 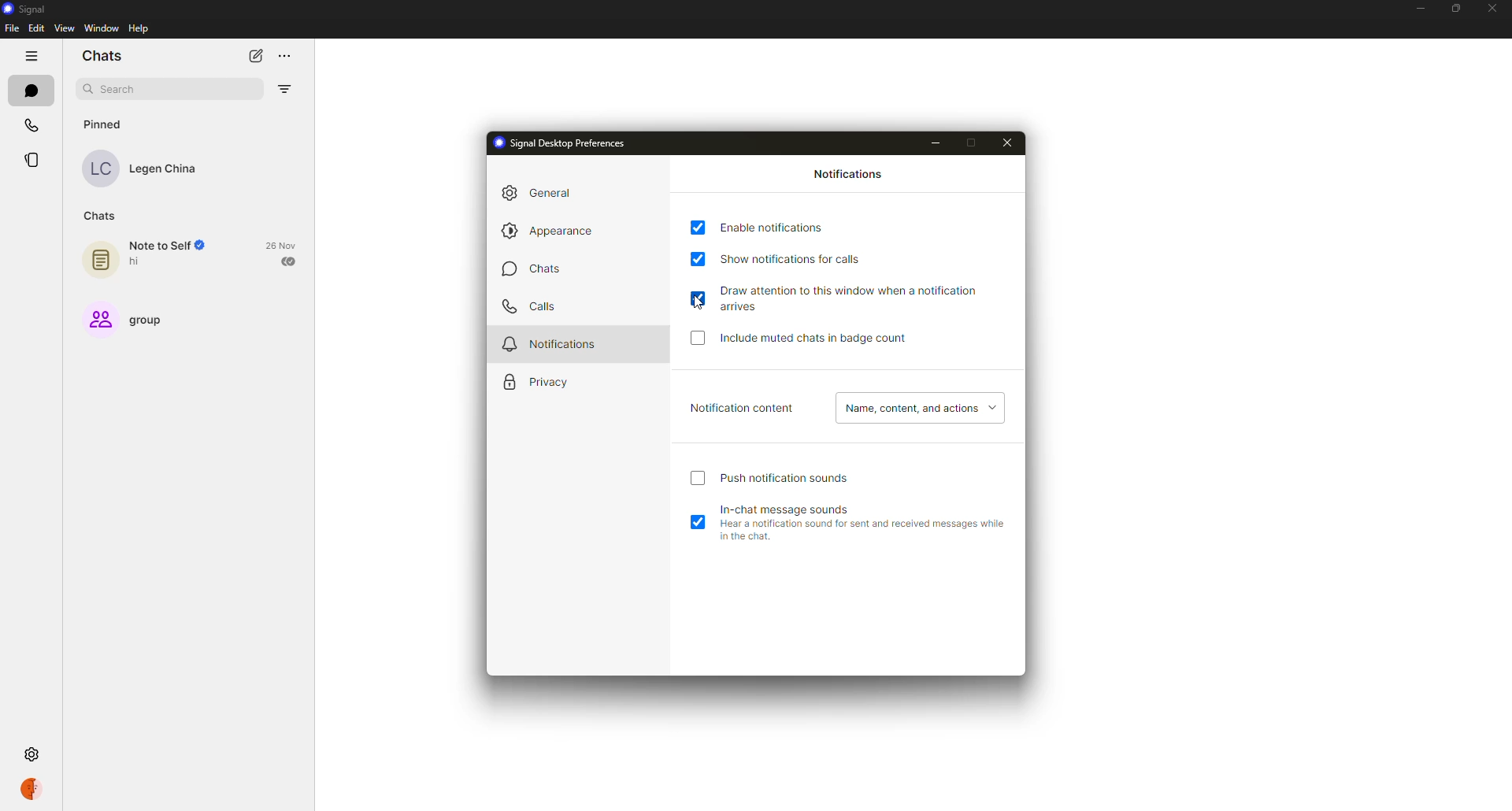 I want to click on Mouse Cursor, so click(x=698, y=303).